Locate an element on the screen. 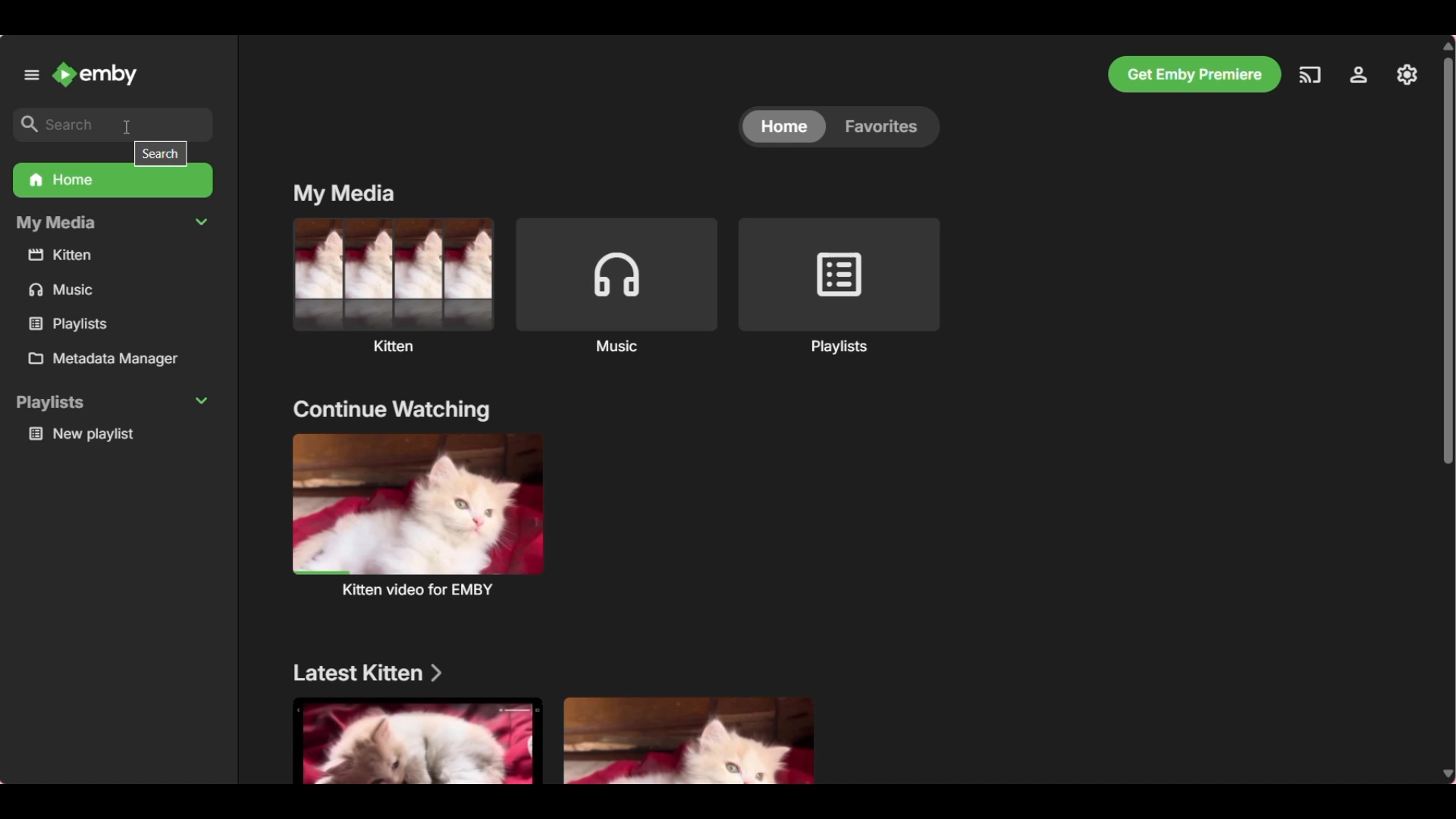 This screenshot has width=1456, height=819. music is located at coordinates (115, 291).